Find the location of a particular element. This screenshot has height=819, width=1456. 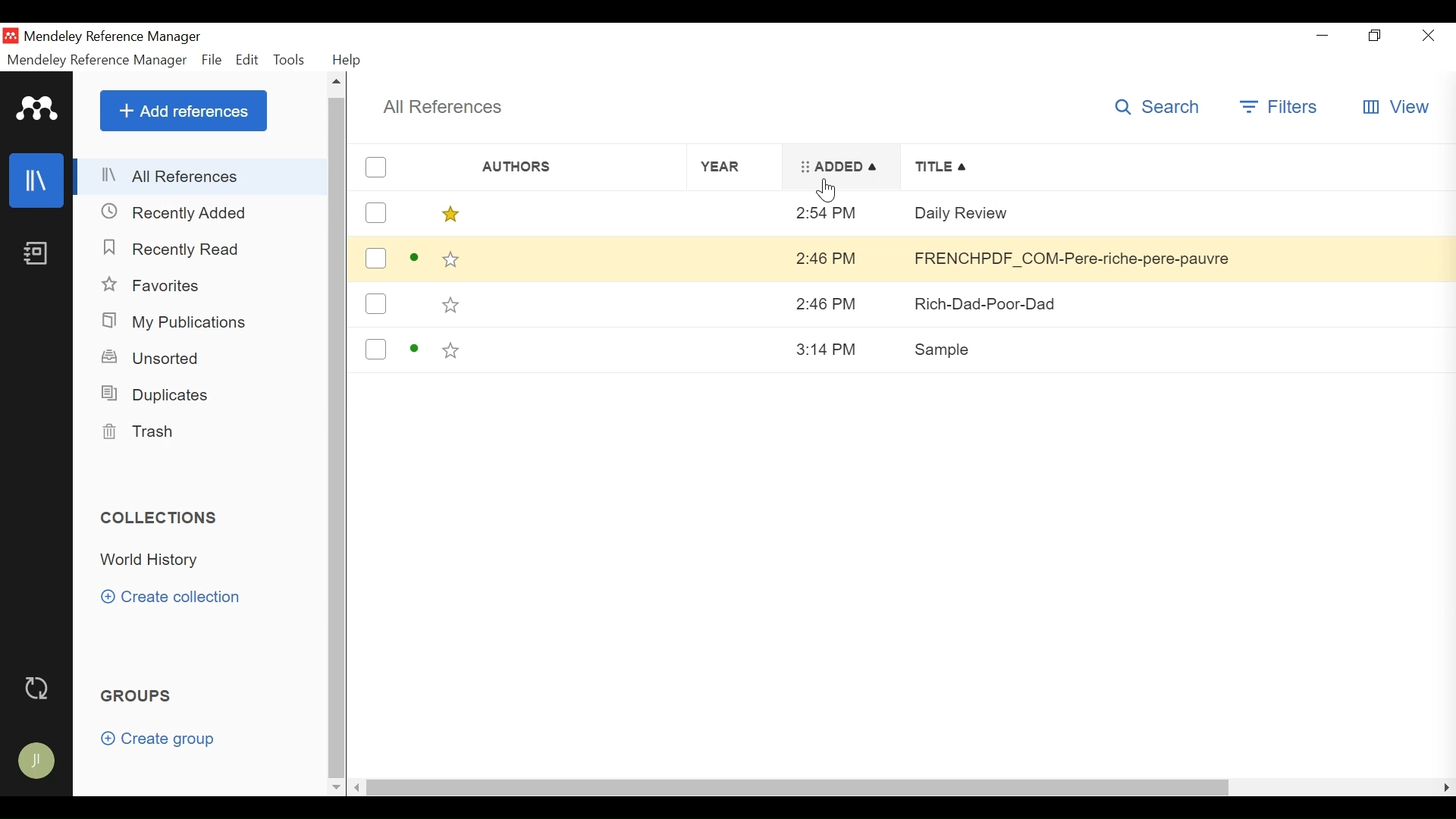

Mendeley Logo is located at coordinates (39, 111).